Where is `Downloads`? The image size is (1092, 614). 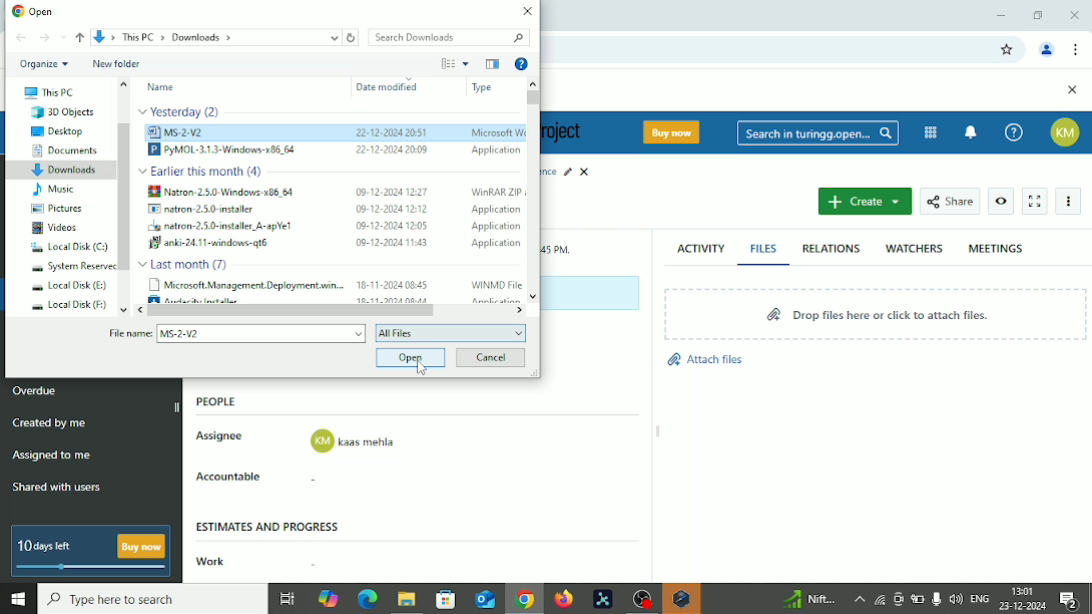 Downloads is located at coordinates (64, 170).